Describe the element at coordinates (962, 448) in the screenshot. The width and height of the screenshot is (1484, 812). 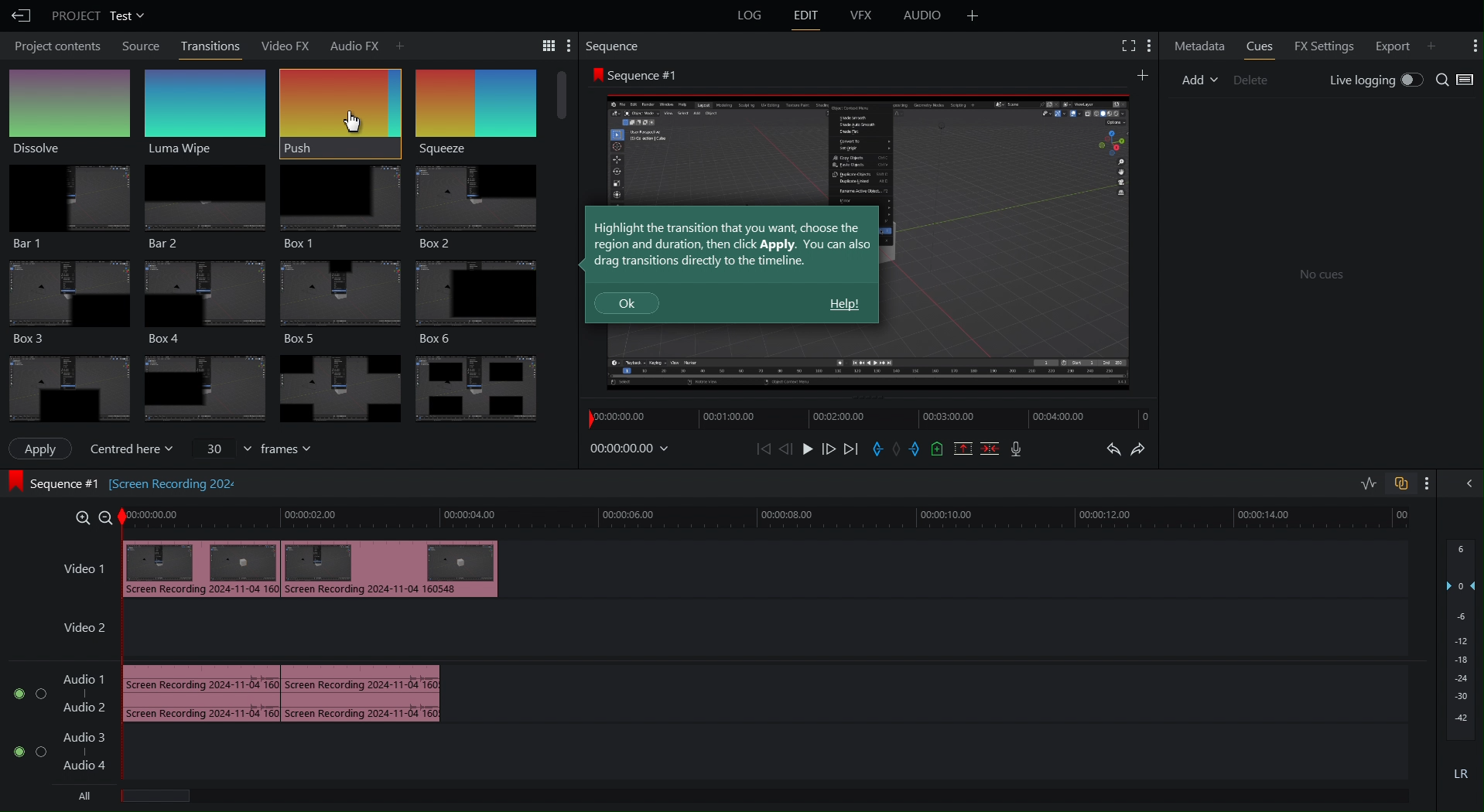
I see `Remove Selected Part` at that location.